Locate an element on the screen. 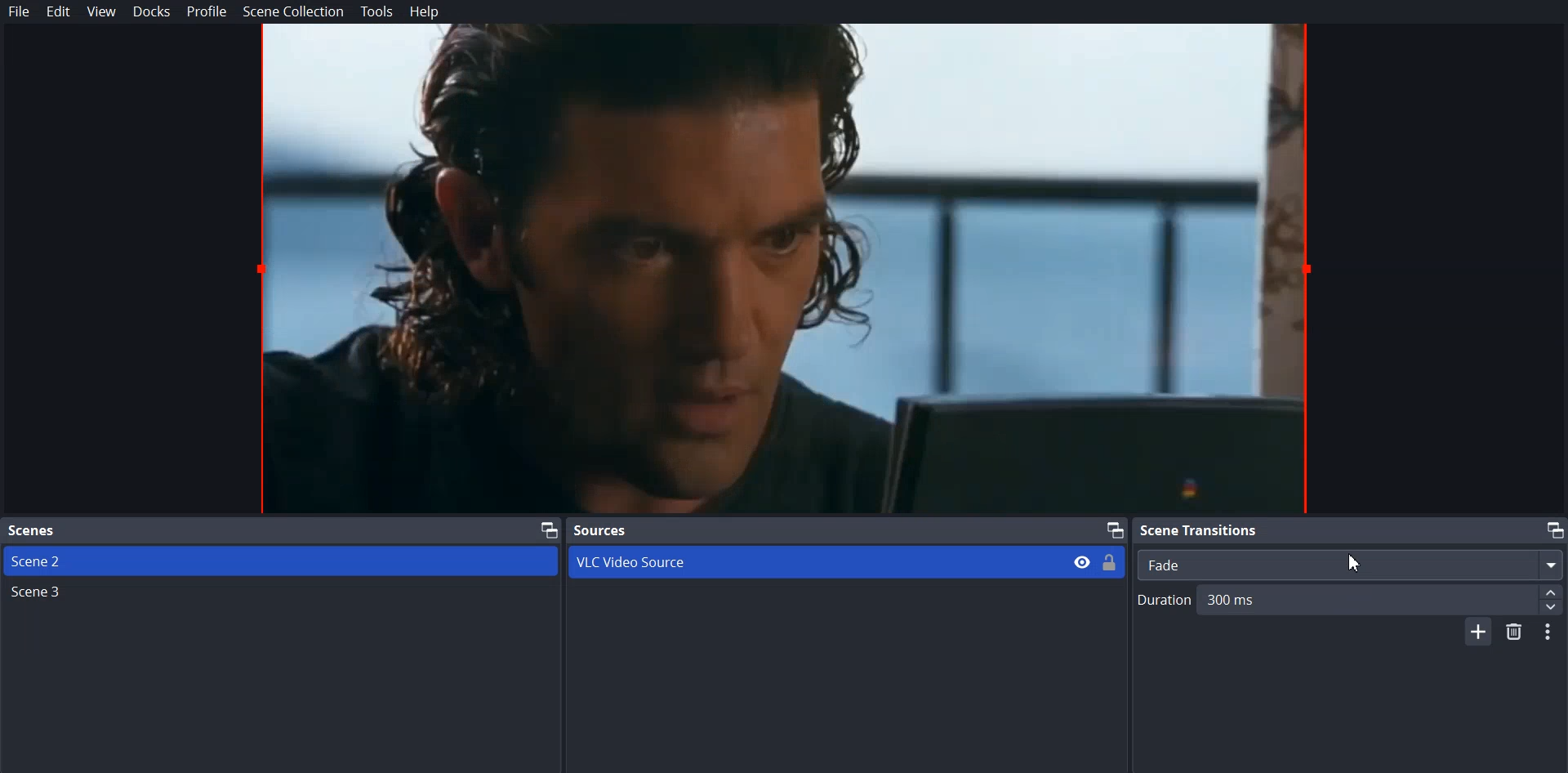 This screenshot has width=1568, height=773. Duration is located at coordinates (1165, 604).